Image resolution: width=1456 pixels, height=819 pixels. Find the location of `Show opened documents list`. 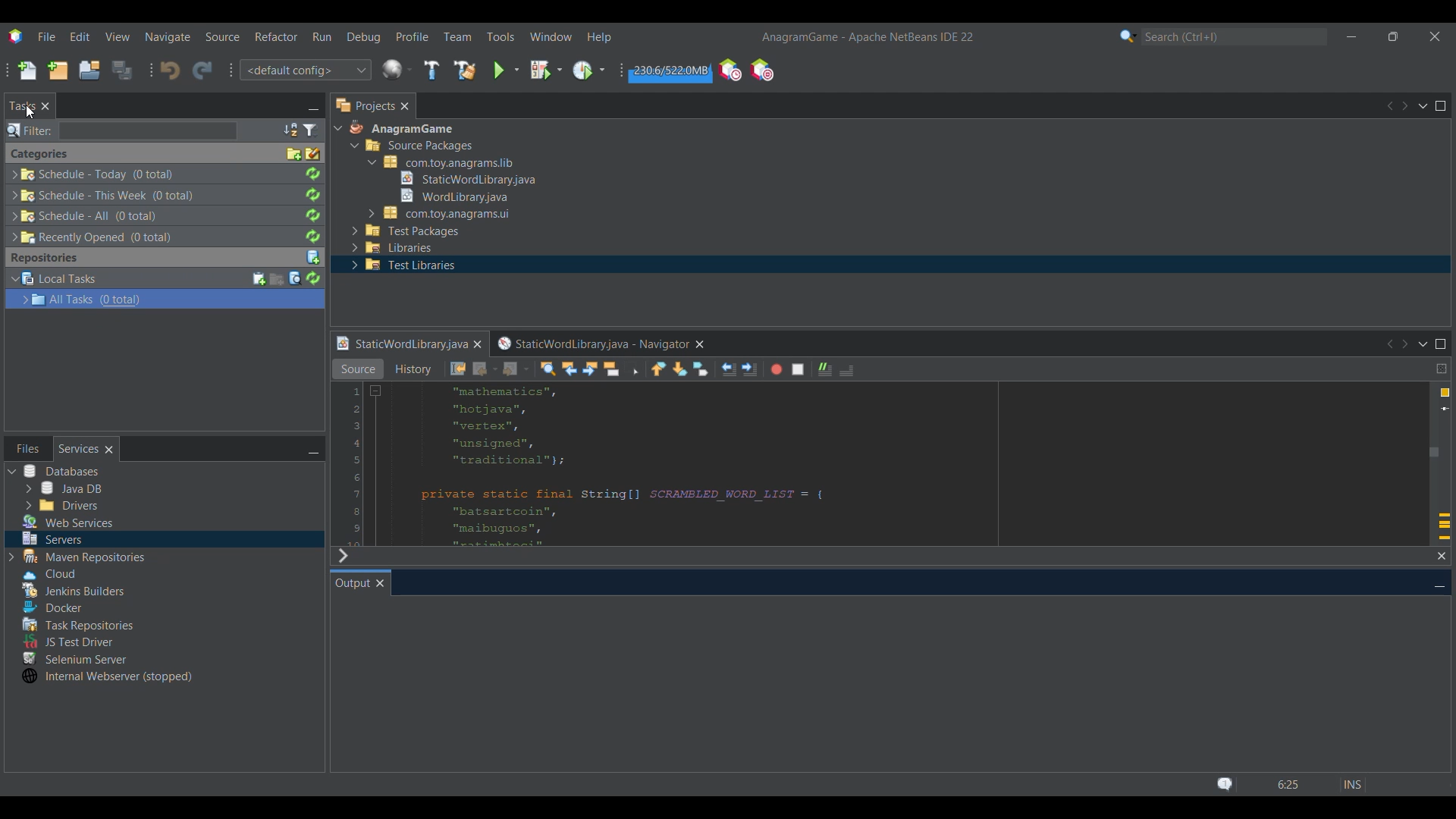

Show opened documents list is located at coordinates (1425, 345).